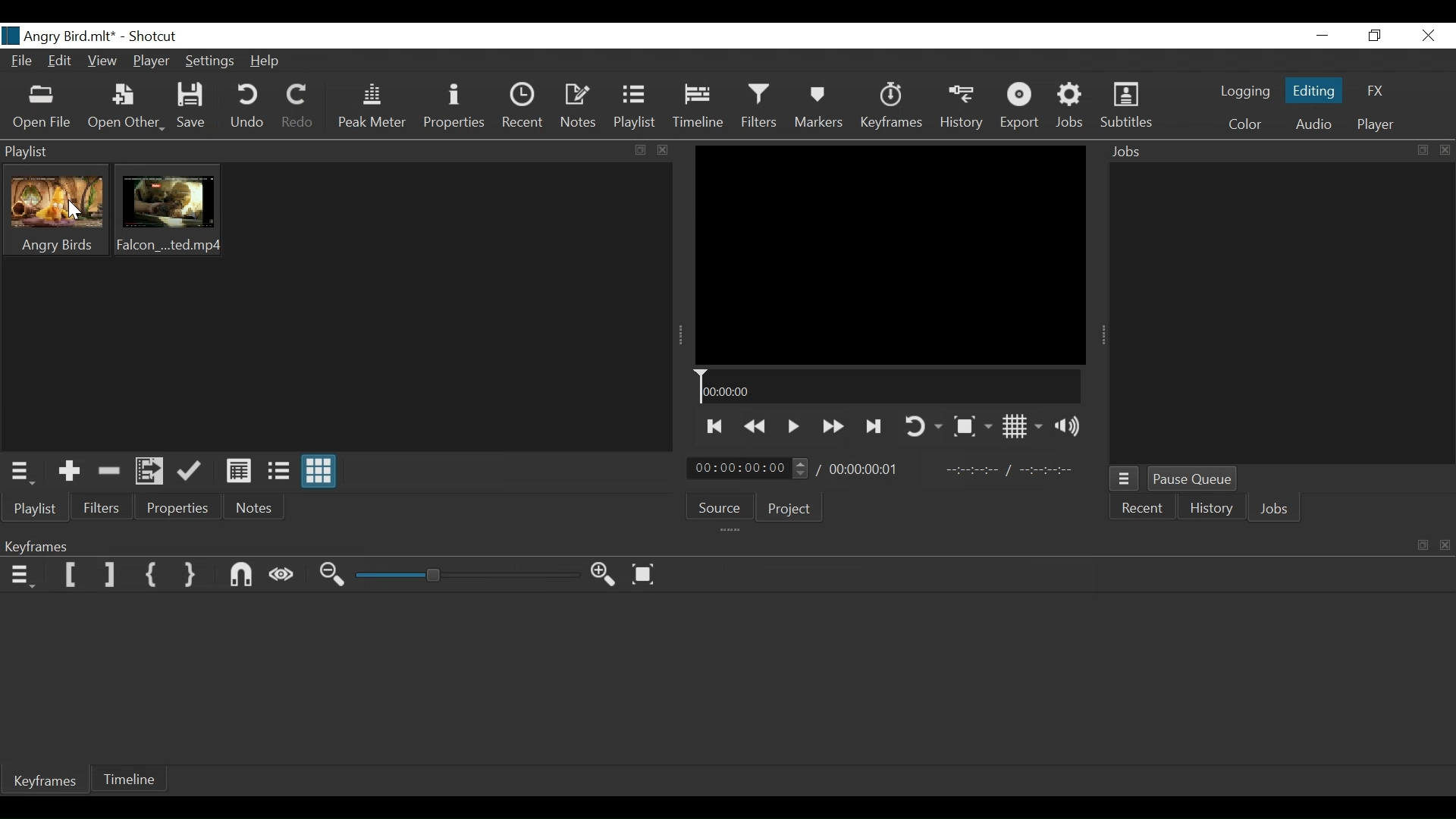 This screenshot has width=1456, height=819. What do you see at coordinates (334, 576) in the screenshot?
I see `Zoom keyframe out` at bounding box center [334, 576].